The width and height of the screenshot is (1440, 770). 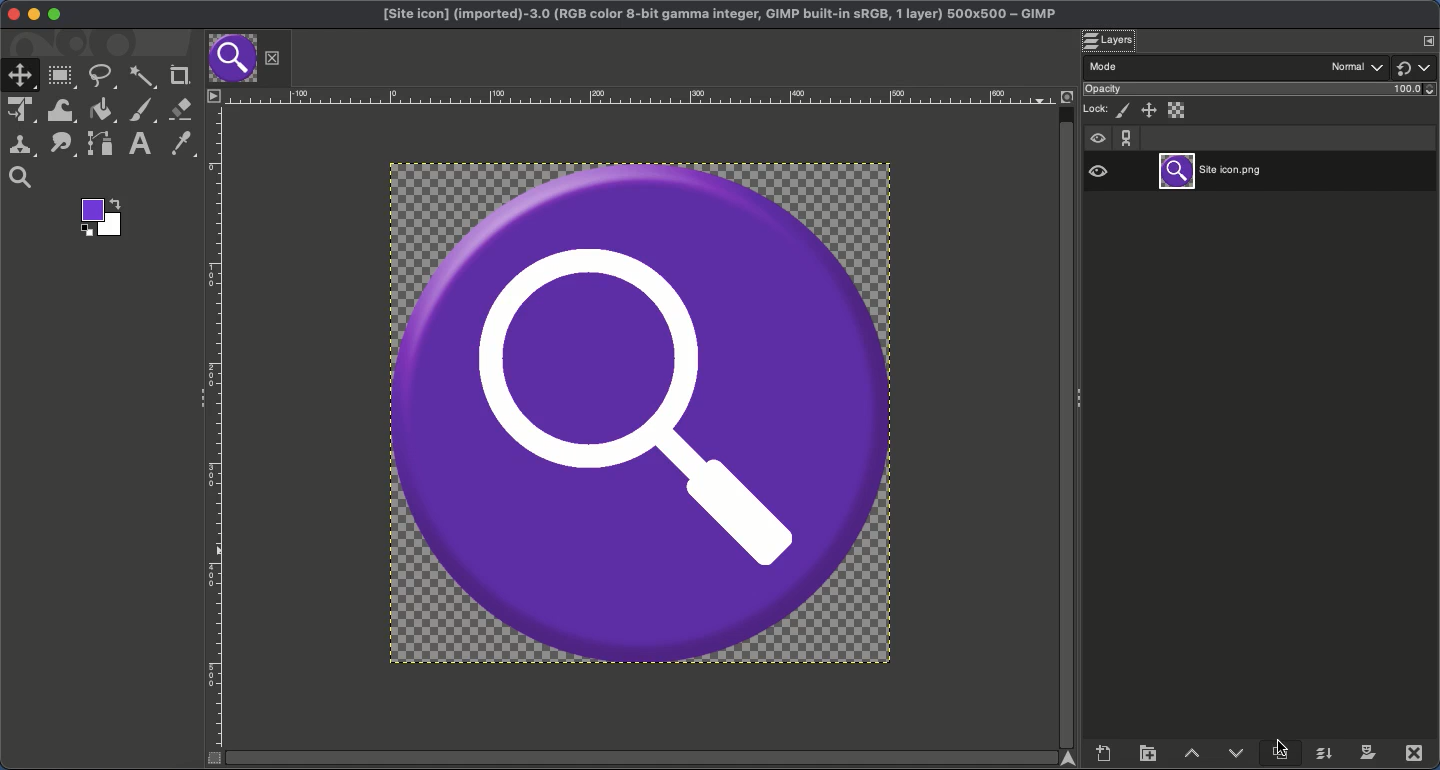 What do you see at coordinates (1067, 415) in the screenshot?
I see `Scroll` at bounding box center [1067, 415].